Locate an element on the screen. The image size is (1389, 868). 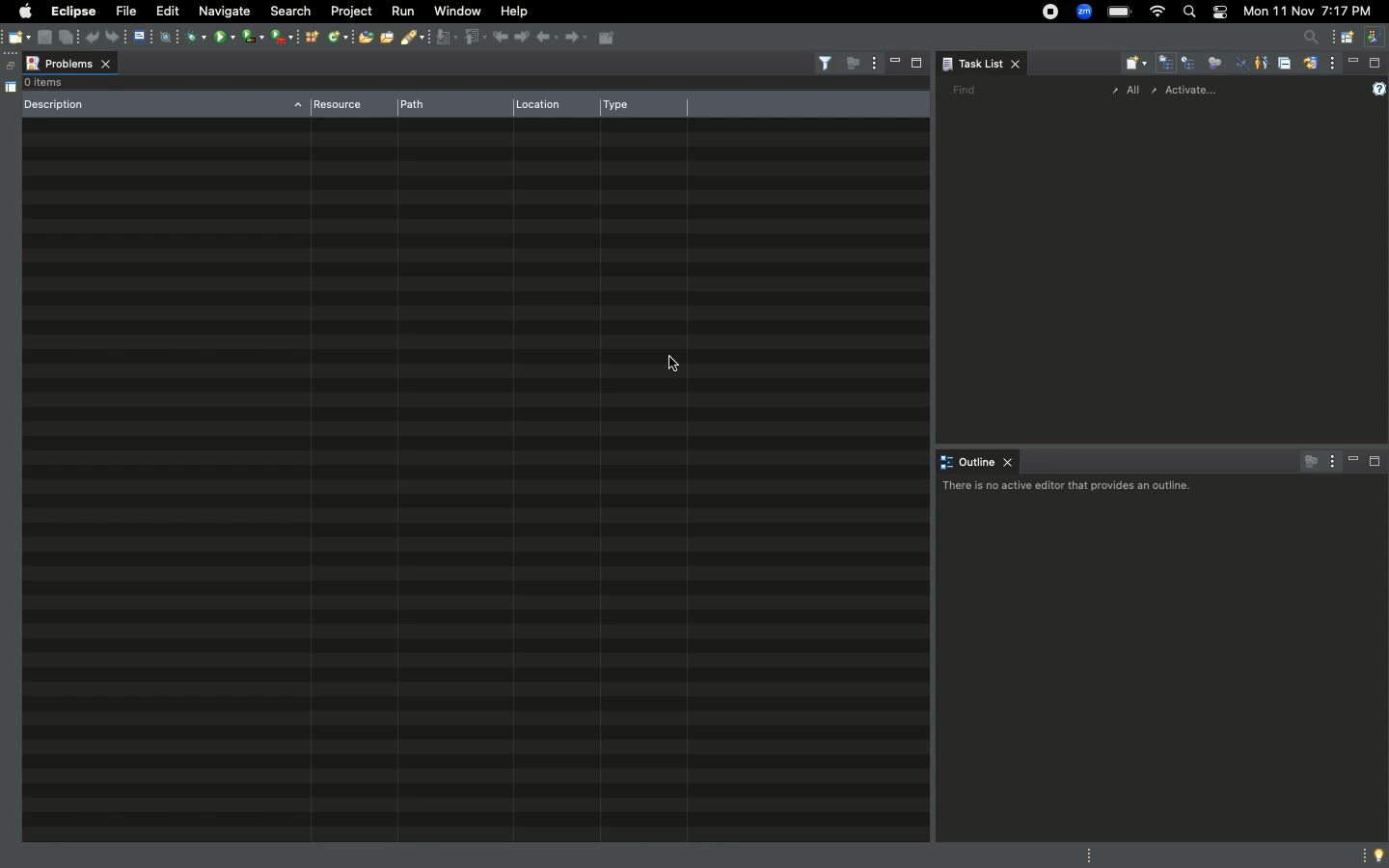
Show only my tasks is located at coordinates (1261, 62).